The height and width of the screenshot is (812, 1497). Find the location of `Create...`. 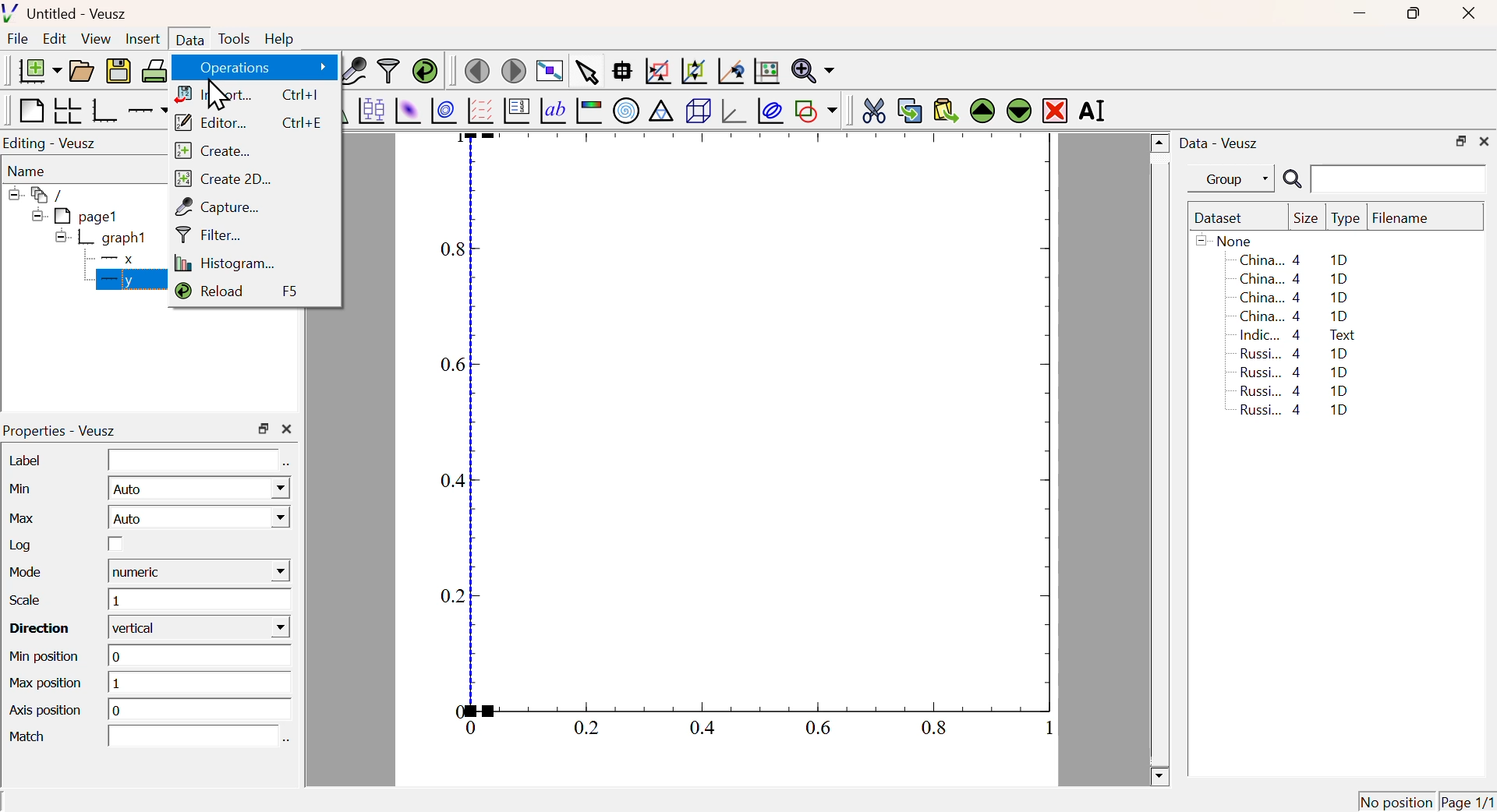

Create... is located at coordinates (212, 151).